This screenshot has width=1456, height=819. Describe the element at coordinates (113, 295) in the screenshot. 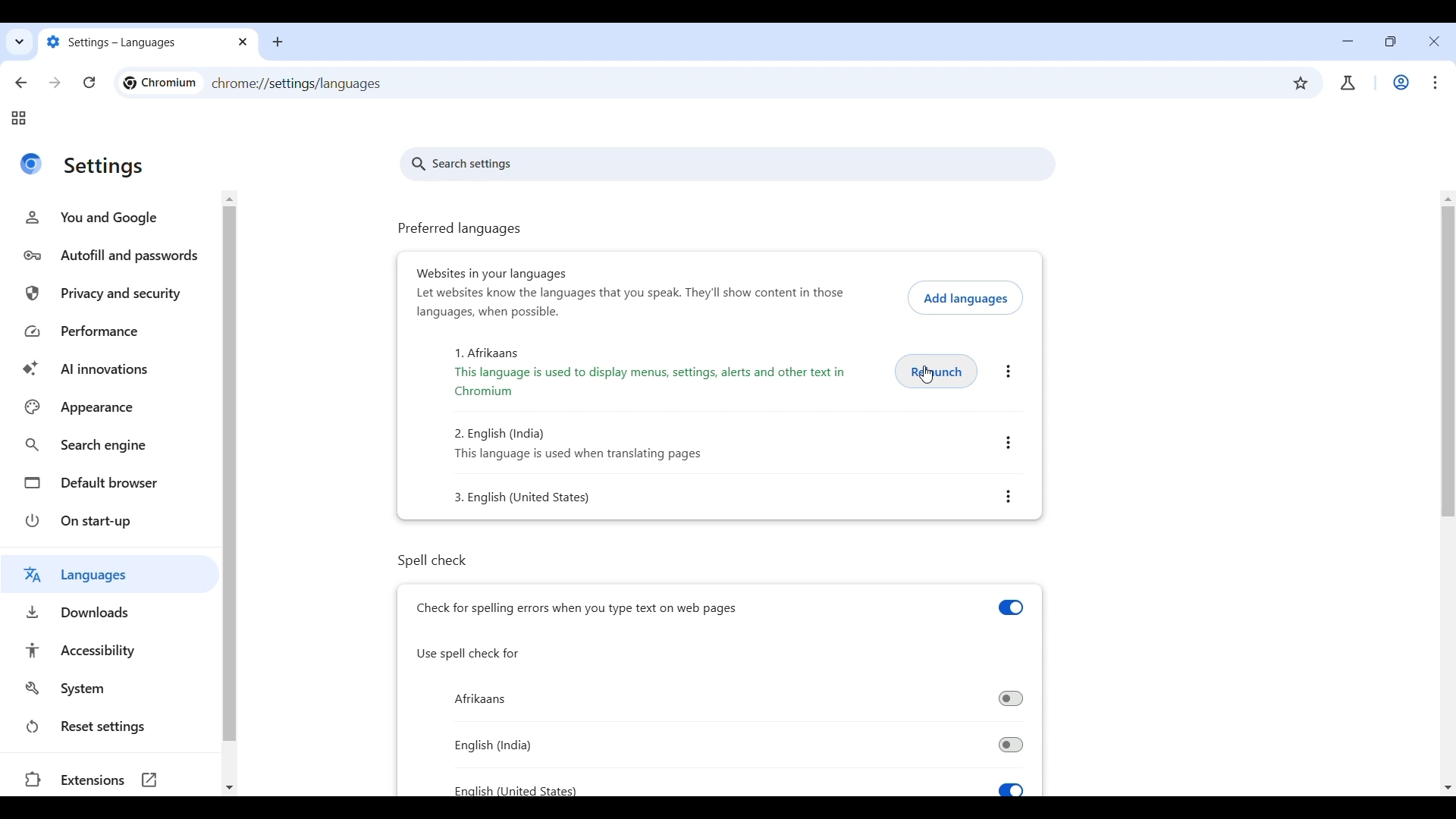

I see `Privacy and security` at that location.